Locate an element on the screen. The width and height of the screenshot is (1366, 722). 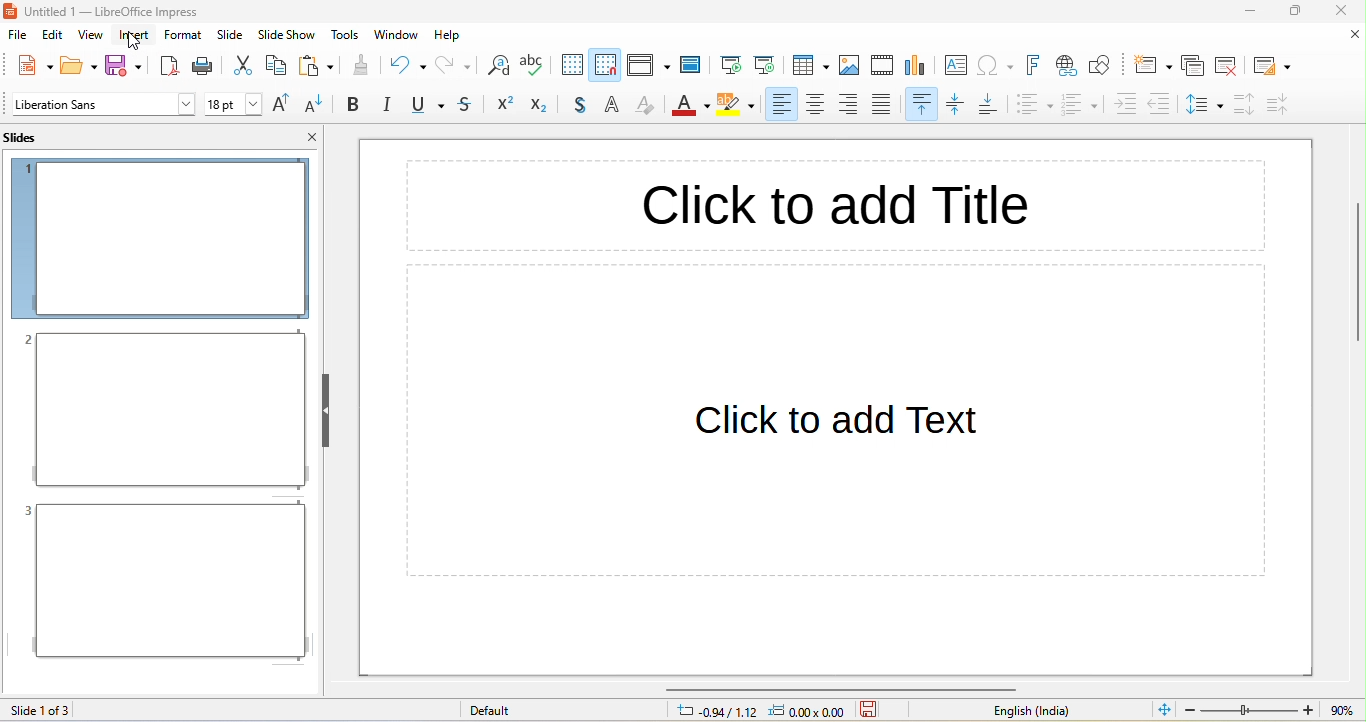
new slide is located at coordinates (1151, 65).